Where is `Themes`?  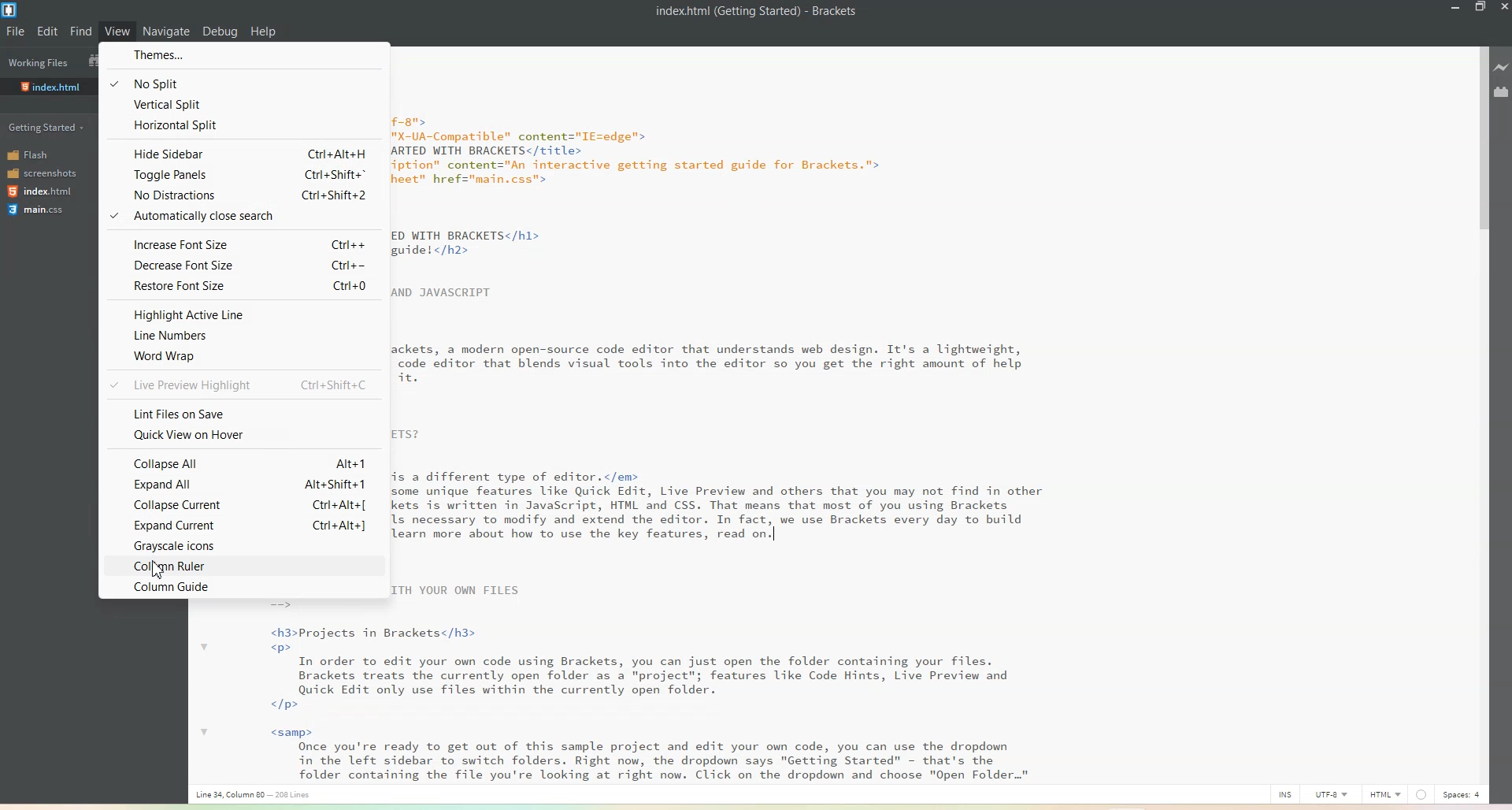 Themes is located at coordinates (243, 55).